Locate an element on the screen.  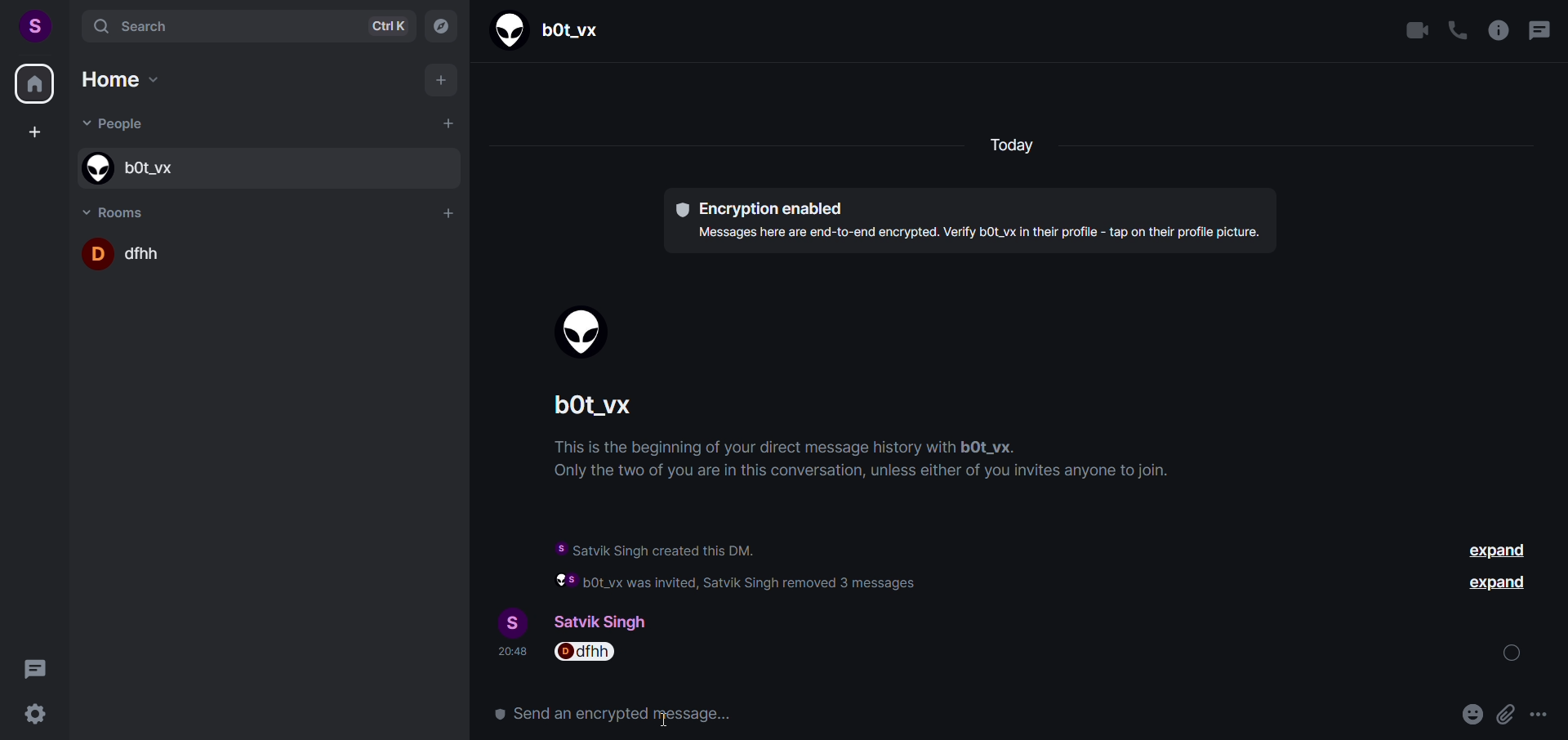
room is located at coordinates (119, 210).